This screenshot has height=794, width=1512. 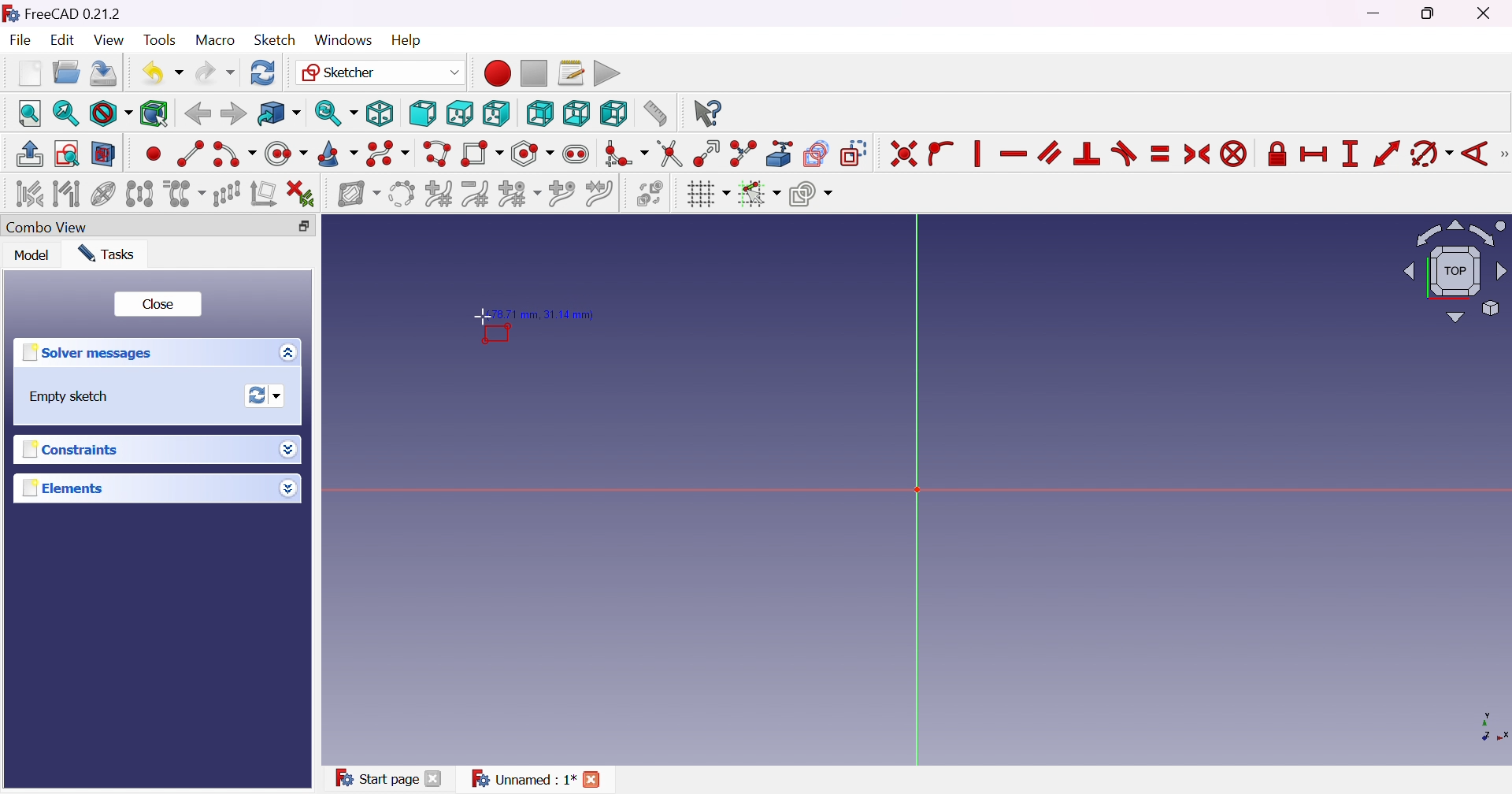 I want to click on View sketch, so click(x=66, y=154).